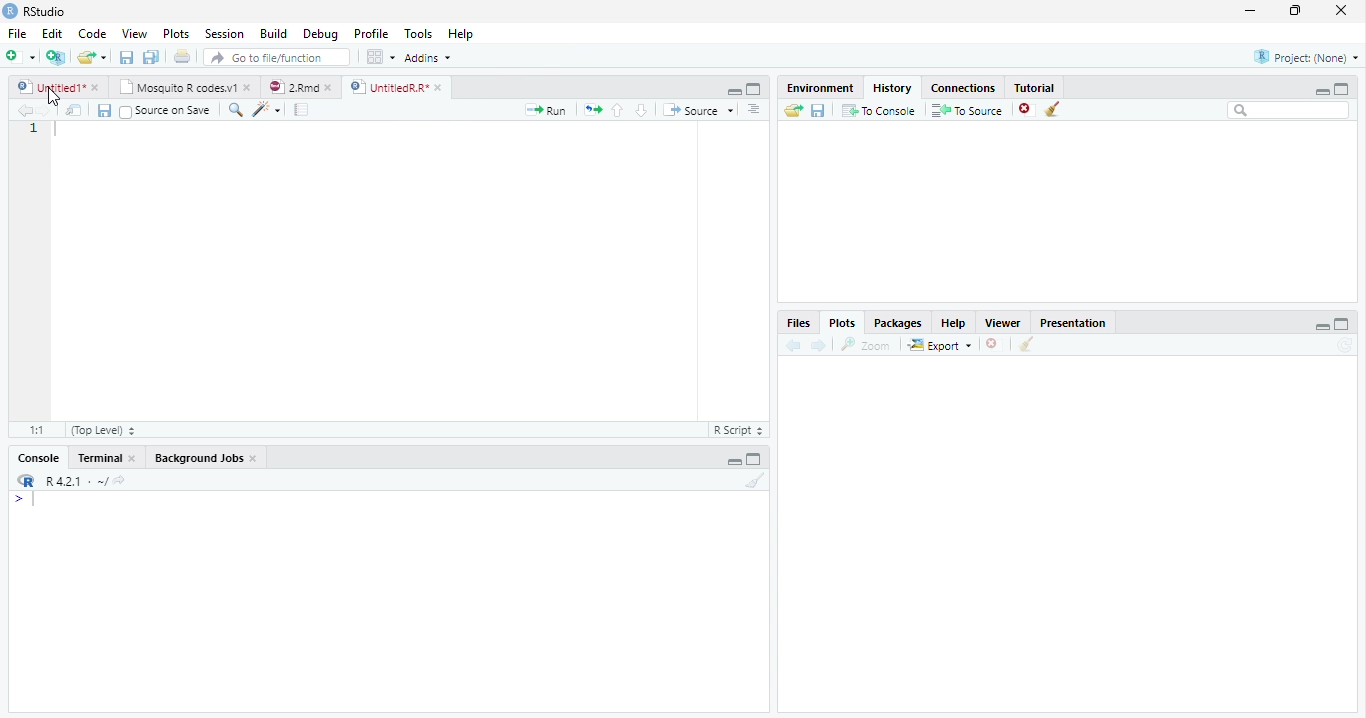 Image resolution: width=1366 pixels, height=718 pixels. Describe the element at coordinates (1346, 88) in the screenshot. I see `Maximize` at that location.